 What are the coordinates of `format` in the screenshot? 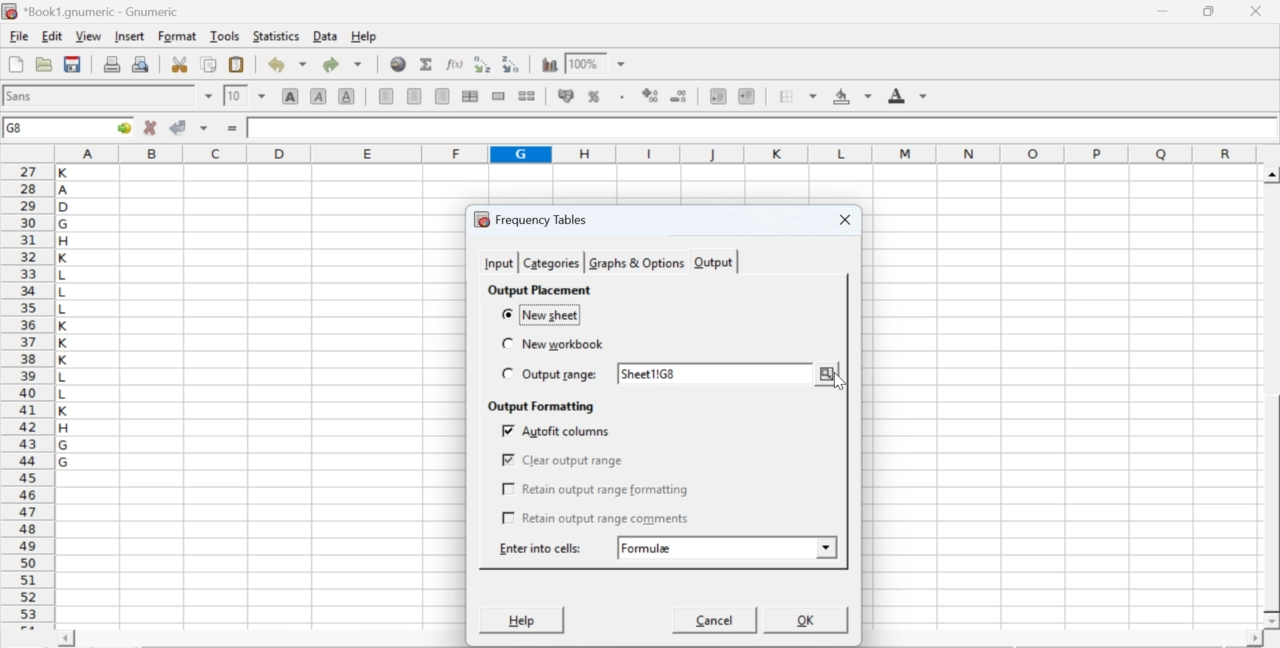 It's located at (178, 36).